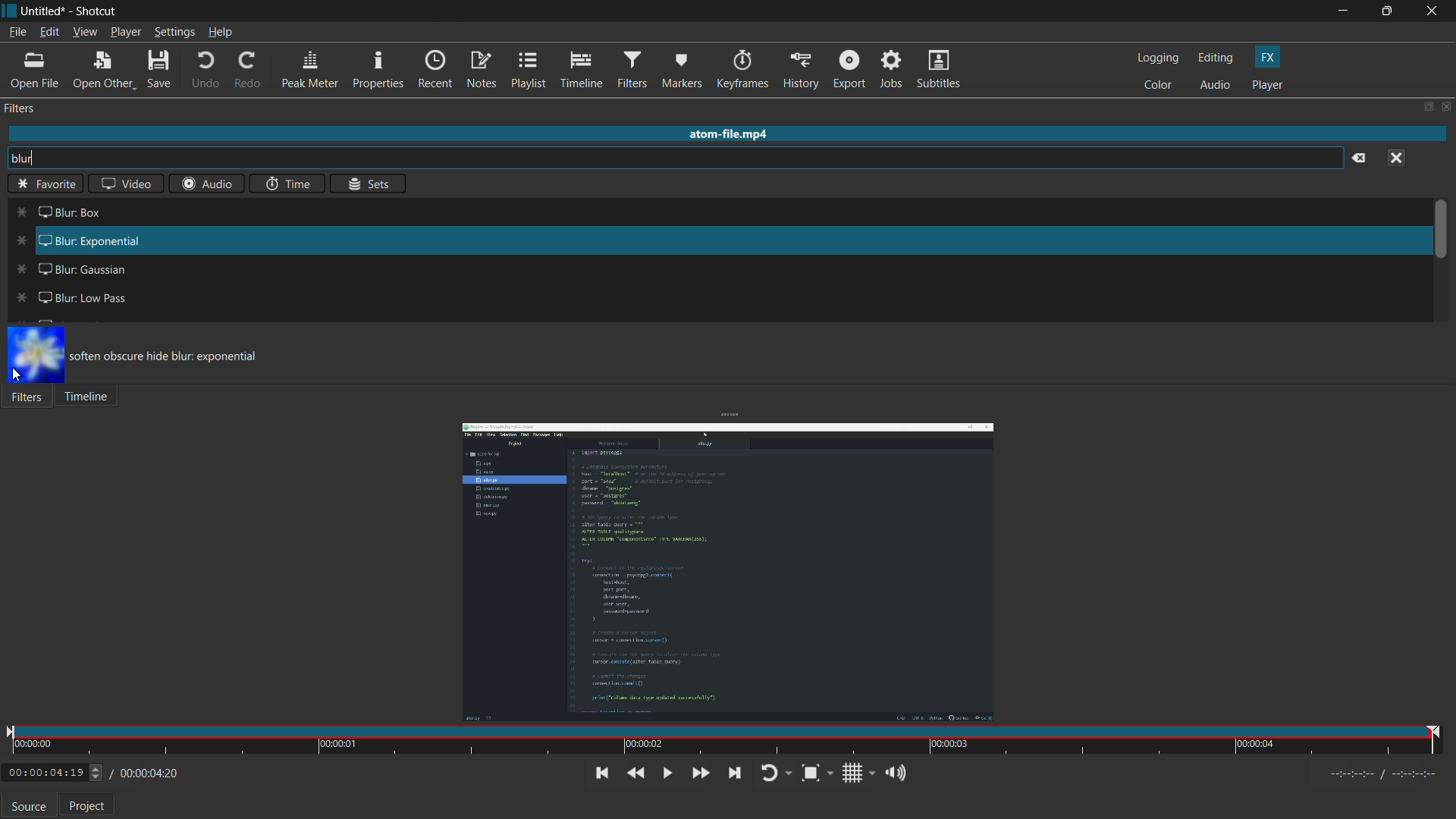 The image size is (1456, 819). I want to click on minimize, so click(1348, 11).